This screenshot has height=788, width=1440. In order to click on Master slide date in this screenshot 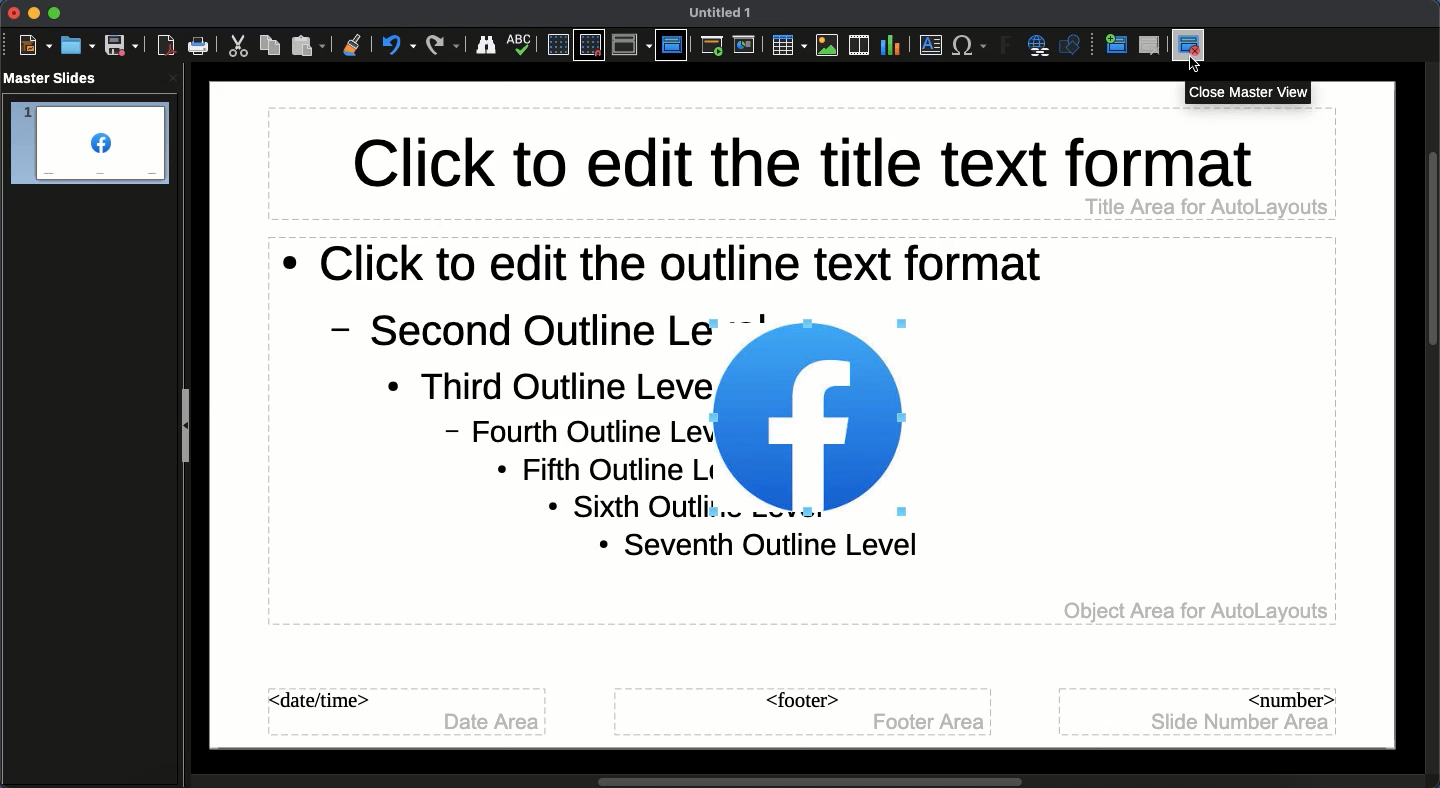, I will do `click(408, 710)`.